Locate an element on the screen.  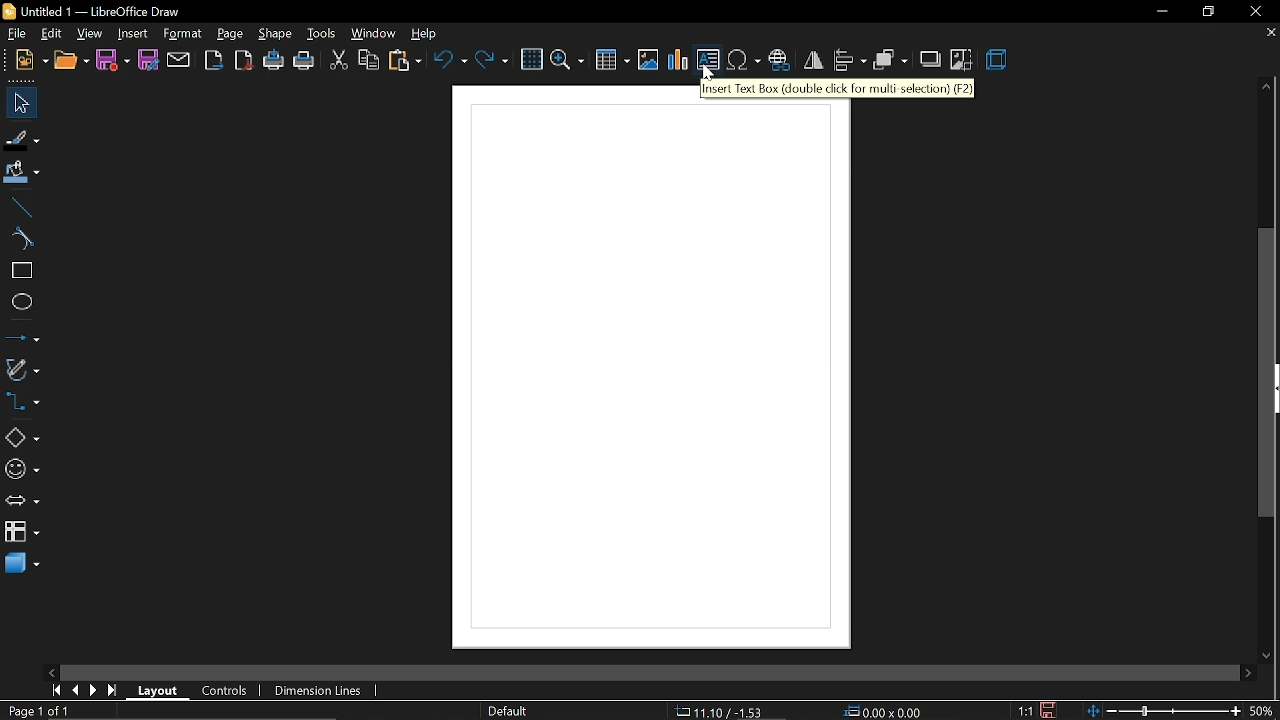
restore down is located at coordinates (1210, 14).